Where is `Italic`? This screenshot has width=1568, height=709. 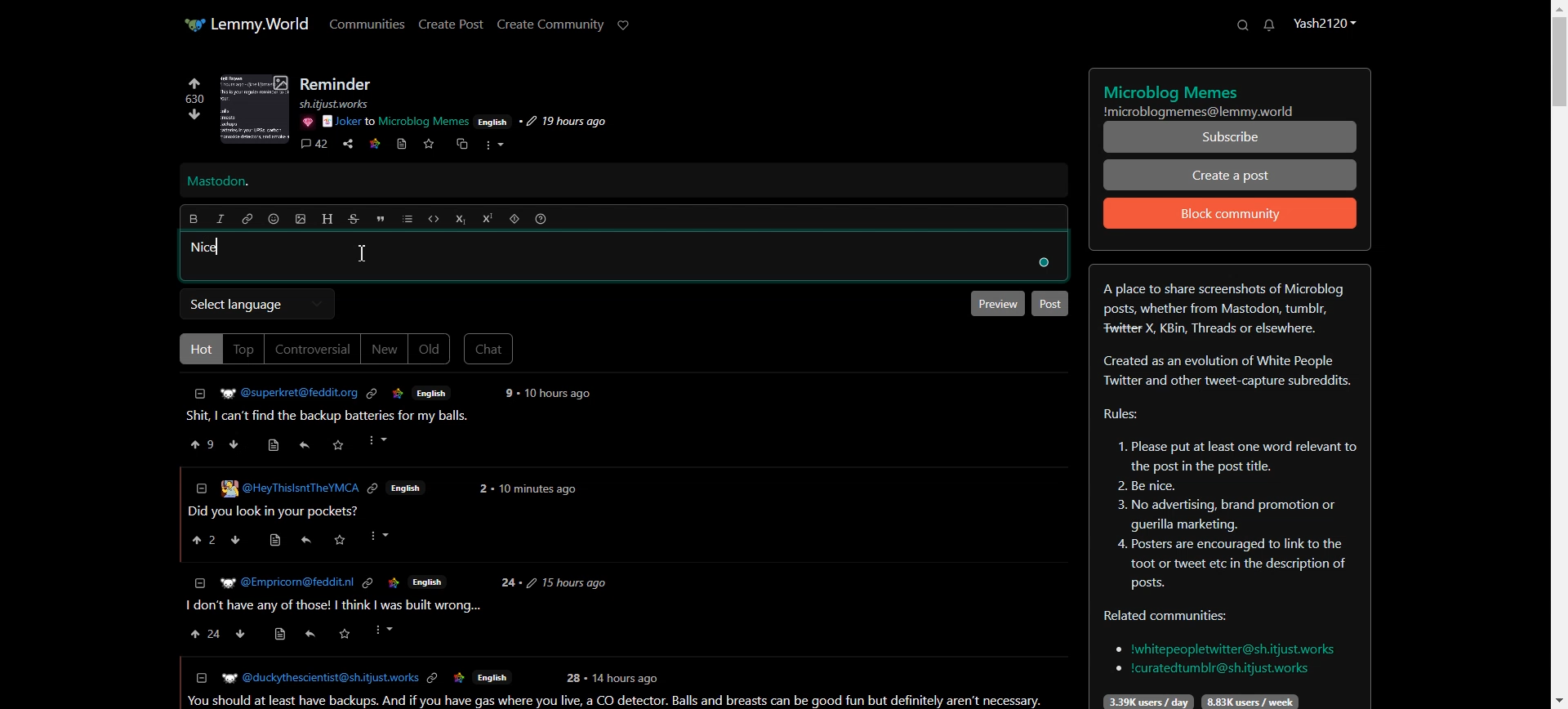
Italic is located at coordinates (220, 219).